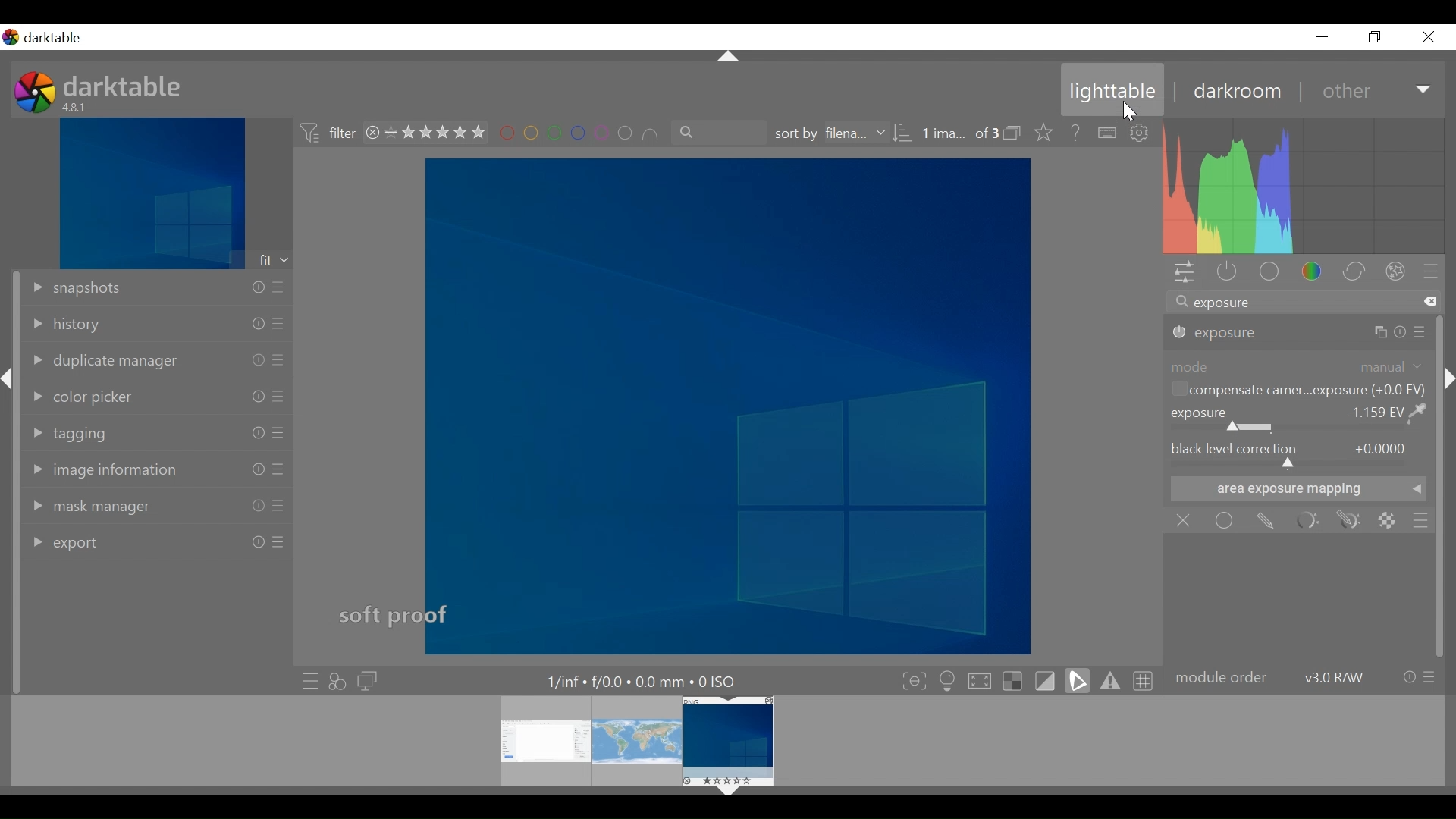 Image resolution: width=1456 pixels, height=819 pixels. What do you see at coordinates (1430, 677) in the screenshot?
I see `presets` at bounding box center [1430, 677].